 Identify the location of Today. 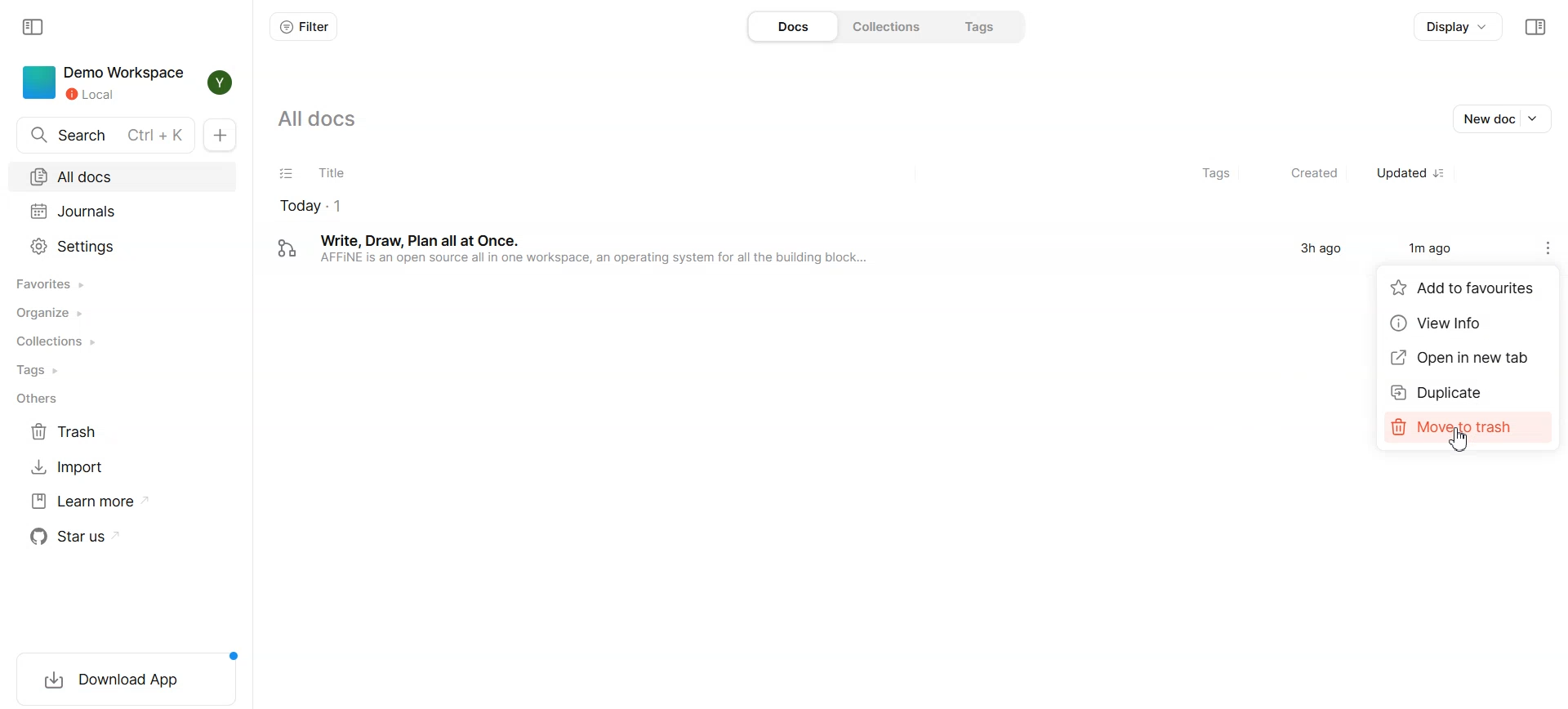
(634, 205).